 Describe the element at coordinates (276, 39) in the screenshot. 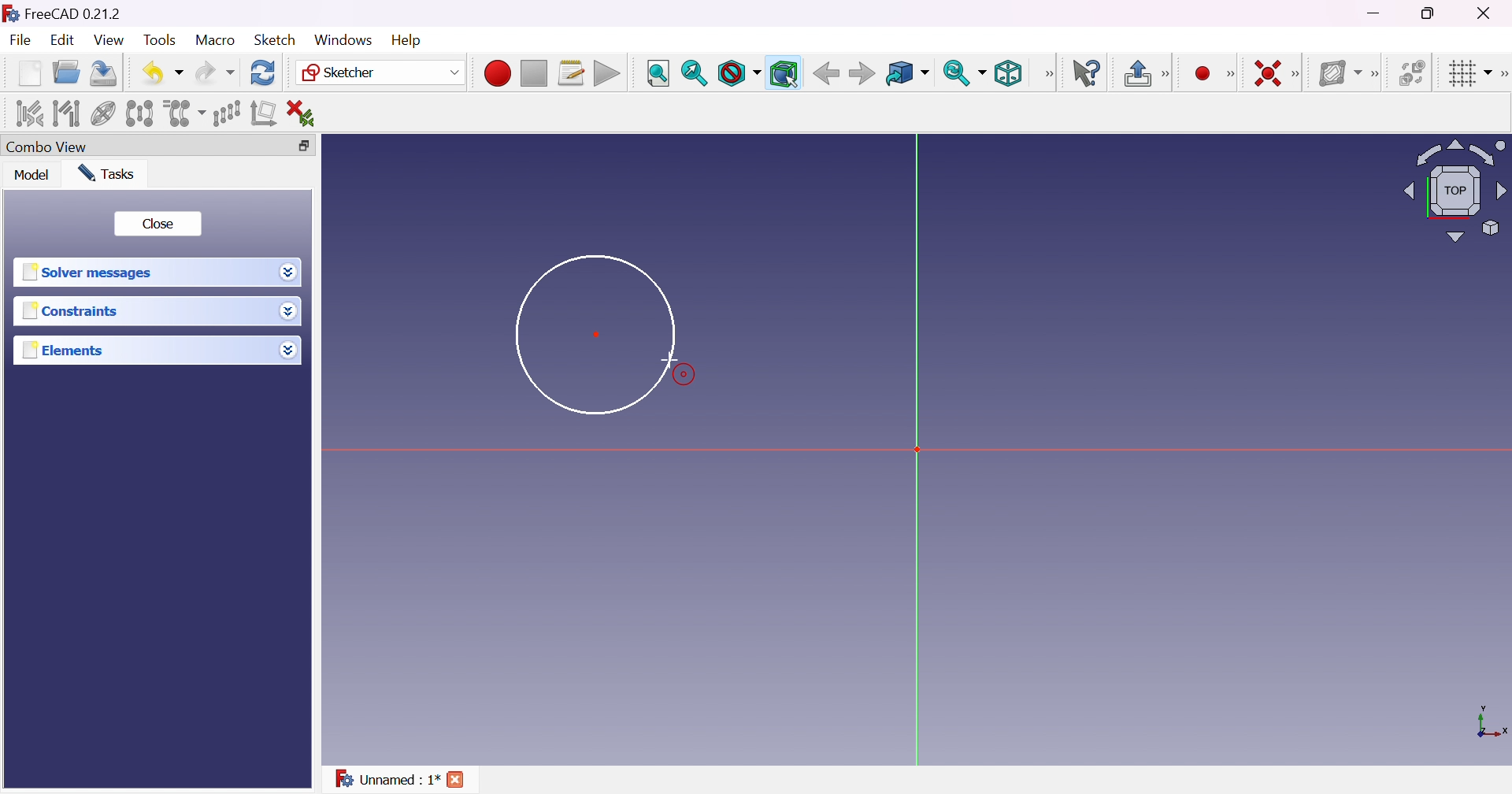

I see `Sketch` at that location.